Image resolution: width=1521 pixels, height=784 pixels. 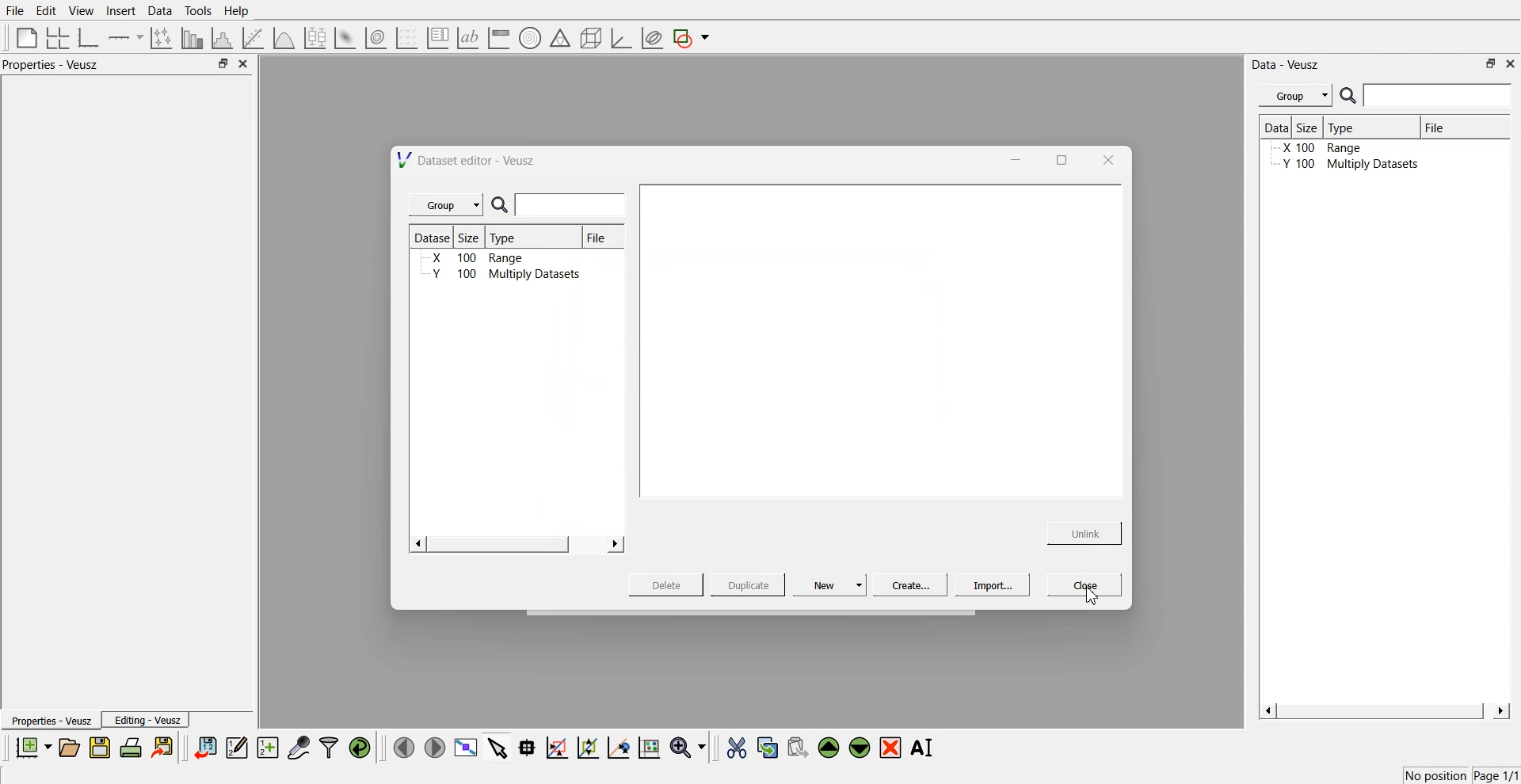 What do you see at coordinates (1383, 710) in the screenshot?
I see `scroll bar` at bounding box center [1383, 710].